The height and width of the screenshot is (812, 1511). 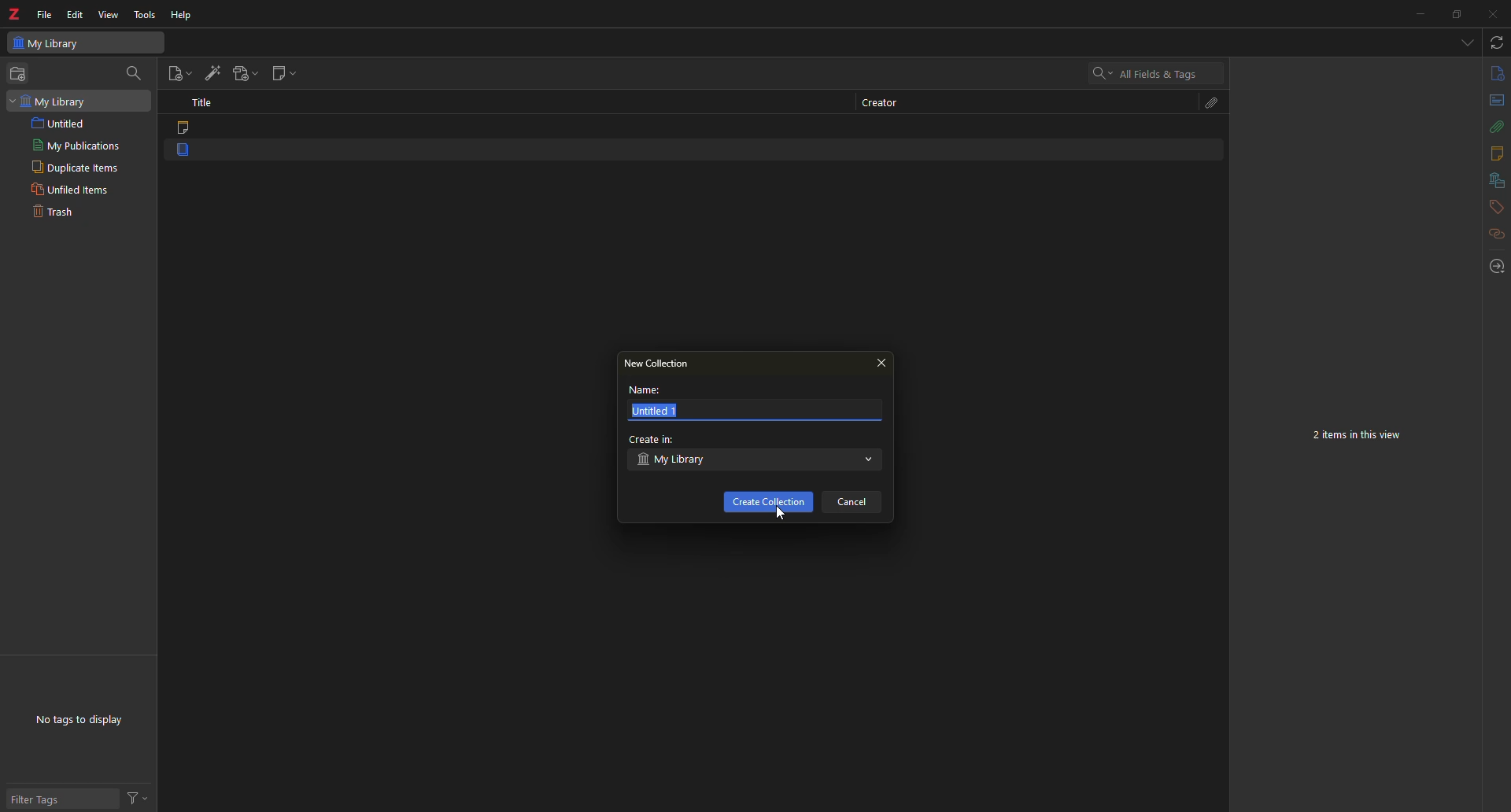 What do you see at coordinates (1491, 14) in the screenshot?
I see `Close` at bounding box center [1491, 14].